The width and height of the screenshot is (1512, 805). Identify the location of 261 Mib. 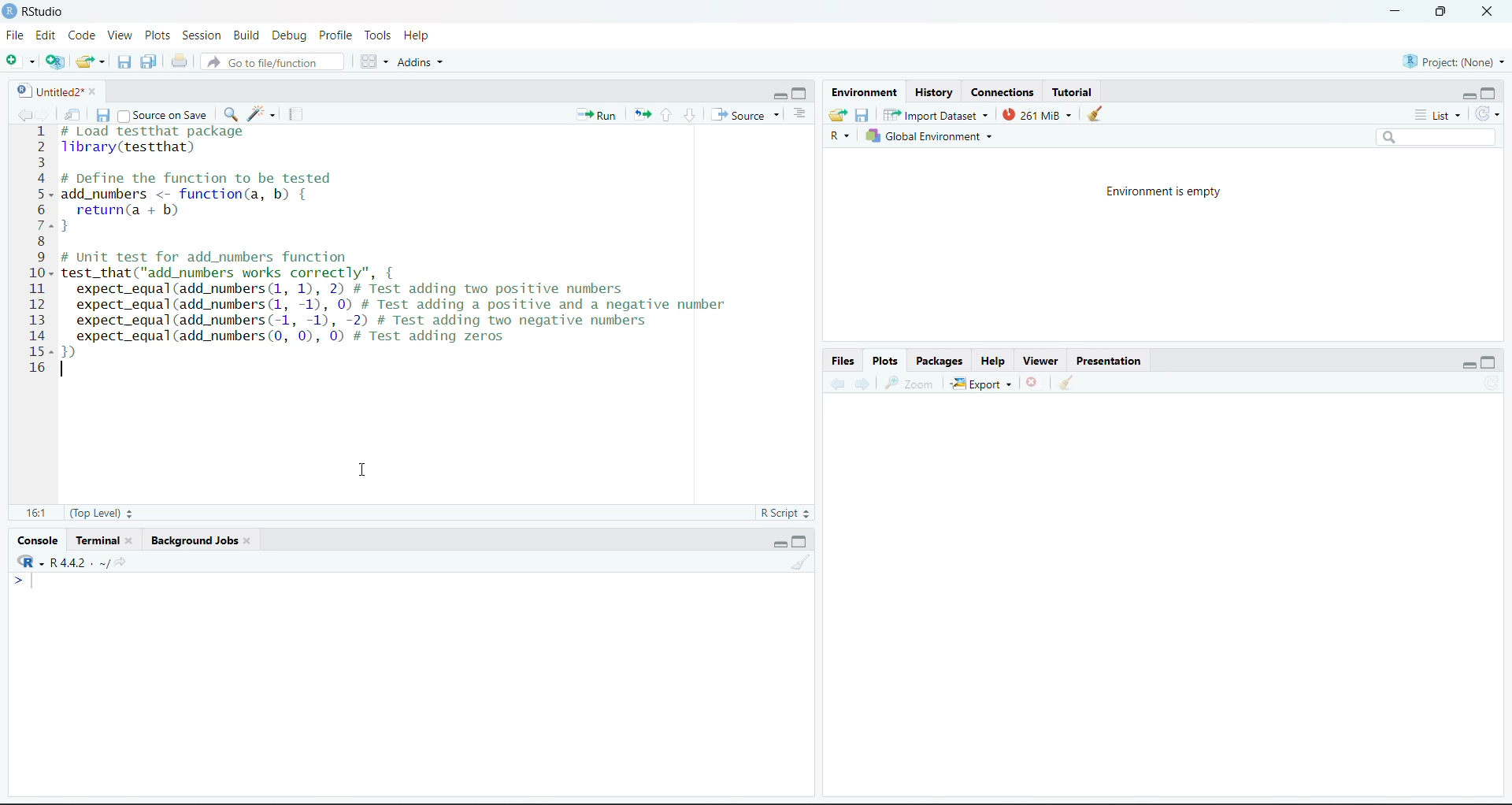
(1038, 115).